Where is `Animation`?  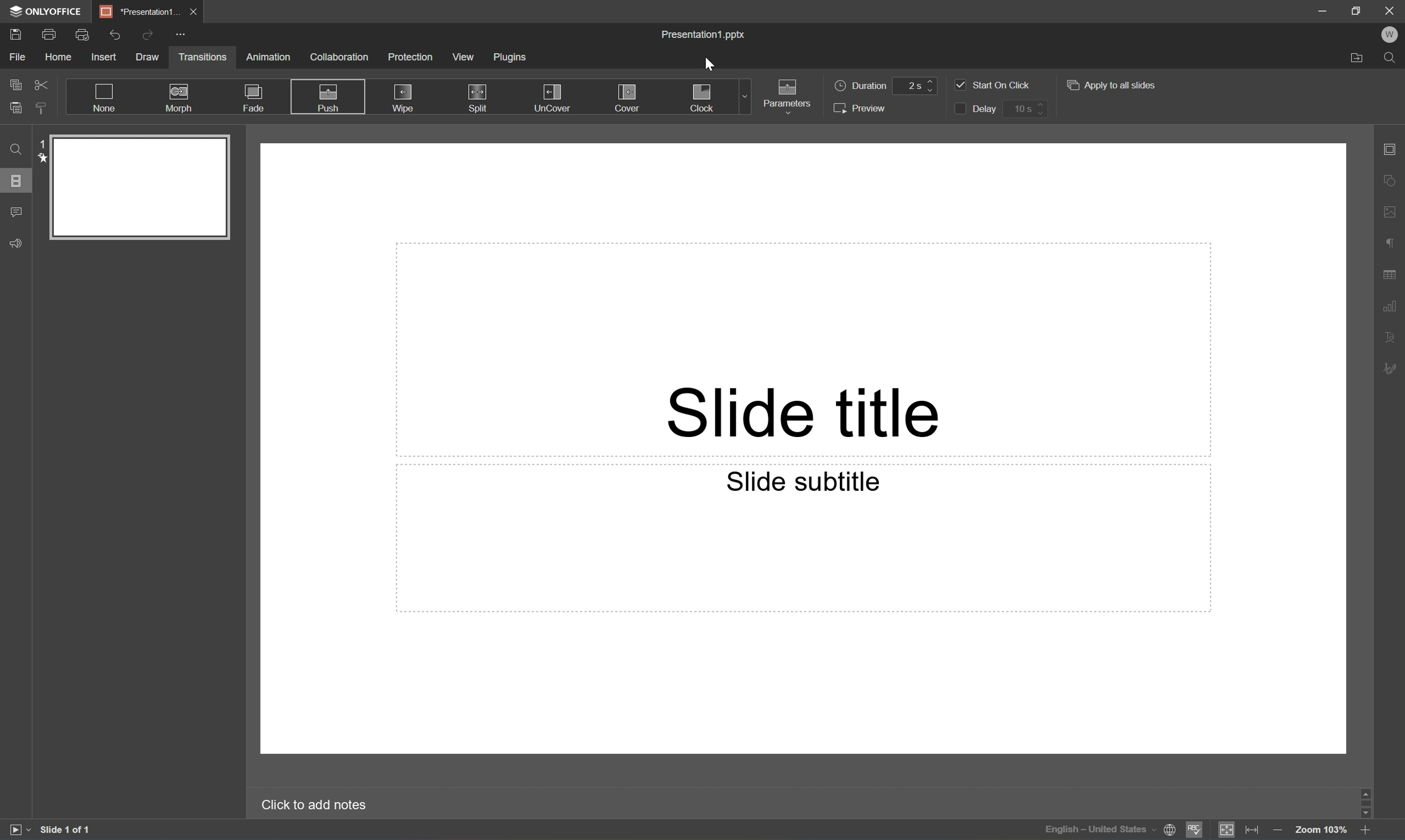
Animation is located at coordinates (268, 56).